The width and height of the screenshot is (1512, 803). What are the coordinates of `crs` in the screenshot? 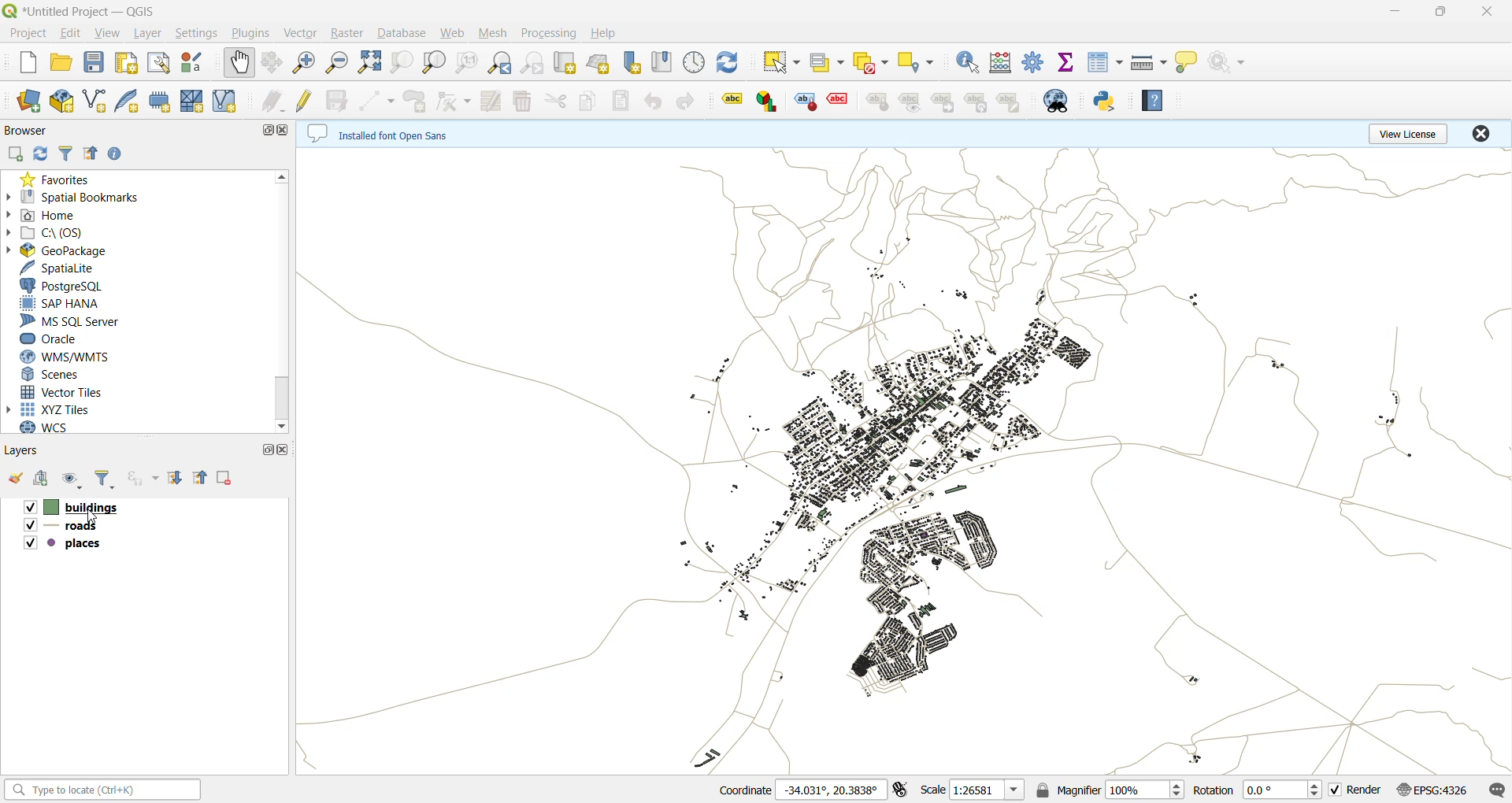 It's located at (1431, 790).